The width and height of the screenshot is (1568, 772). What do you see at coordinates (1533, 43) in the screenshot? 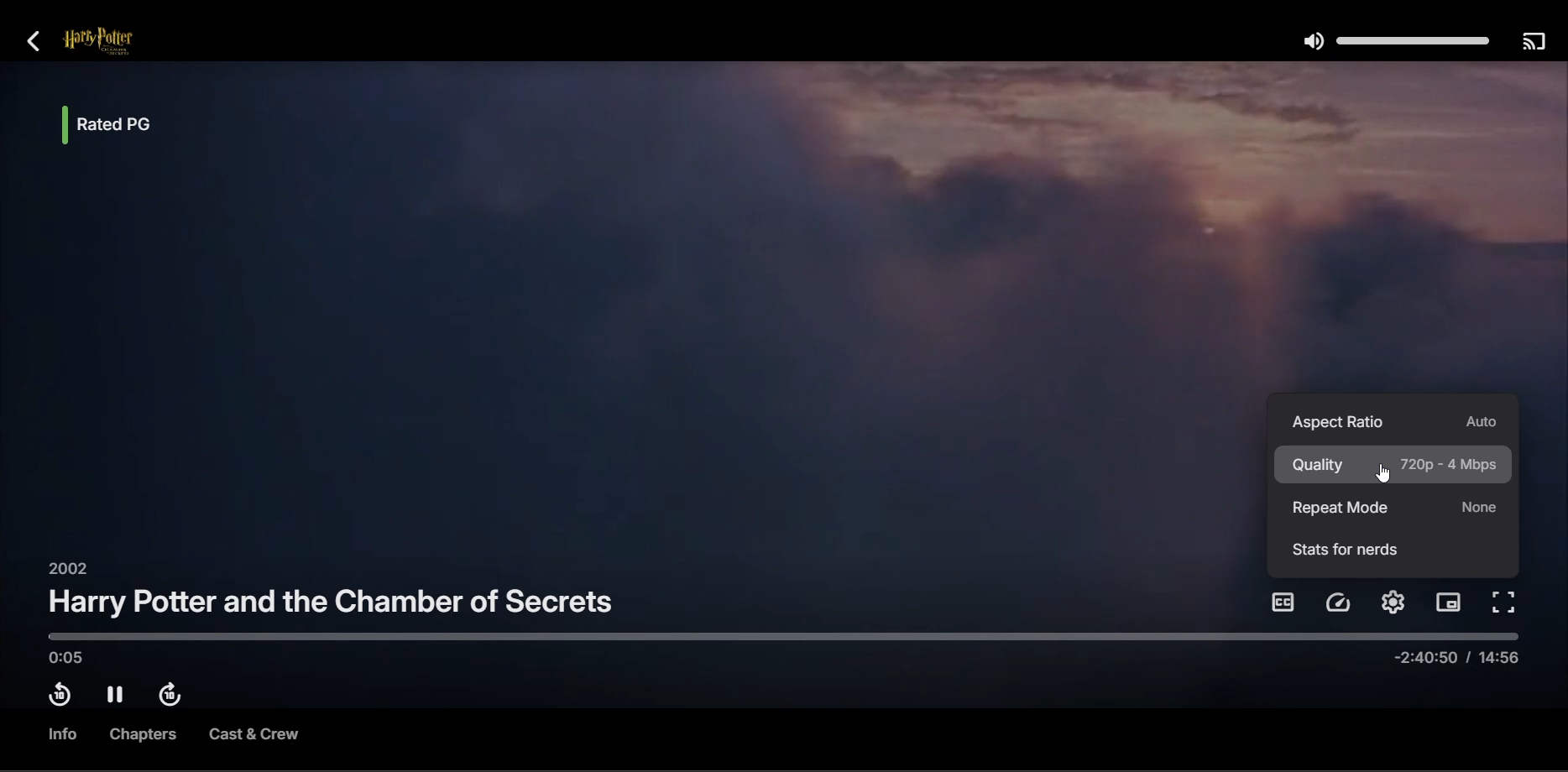
I see `Play on another device` at bounding box center [1533, 43].